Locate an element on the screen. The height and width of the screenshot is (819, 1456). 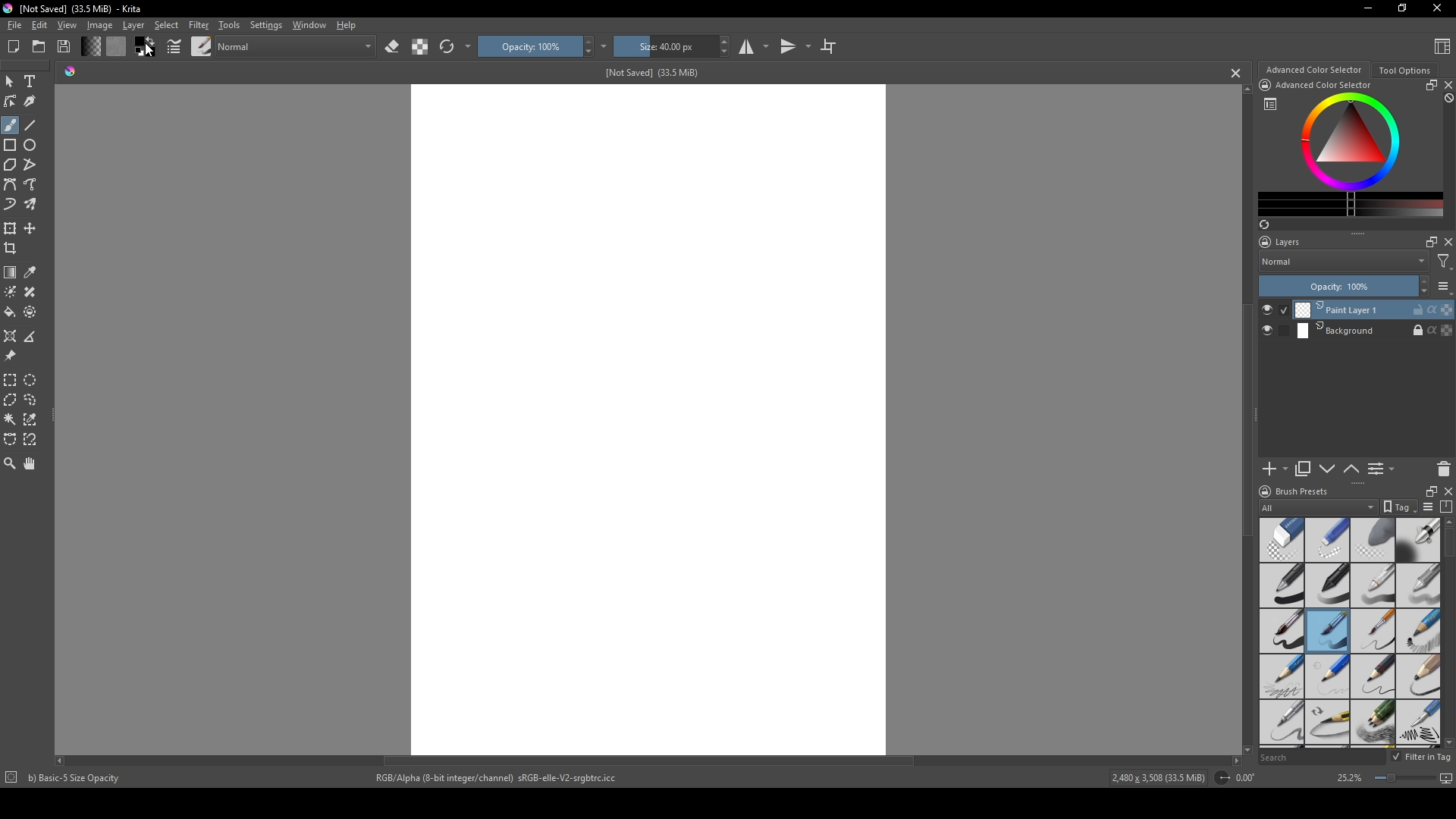
shade is located at coordinates (70, 71).